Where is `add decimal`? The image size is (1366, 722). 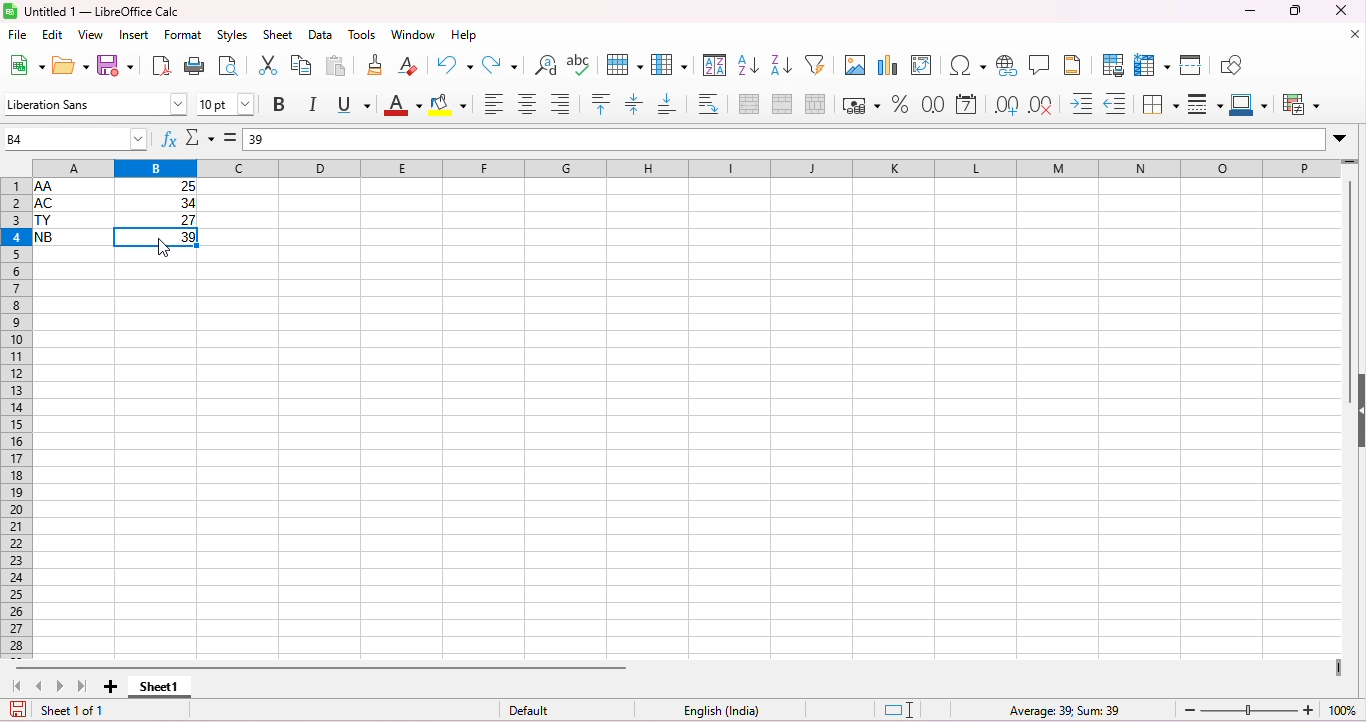 add decimal is located at coordinates (1006, 105).